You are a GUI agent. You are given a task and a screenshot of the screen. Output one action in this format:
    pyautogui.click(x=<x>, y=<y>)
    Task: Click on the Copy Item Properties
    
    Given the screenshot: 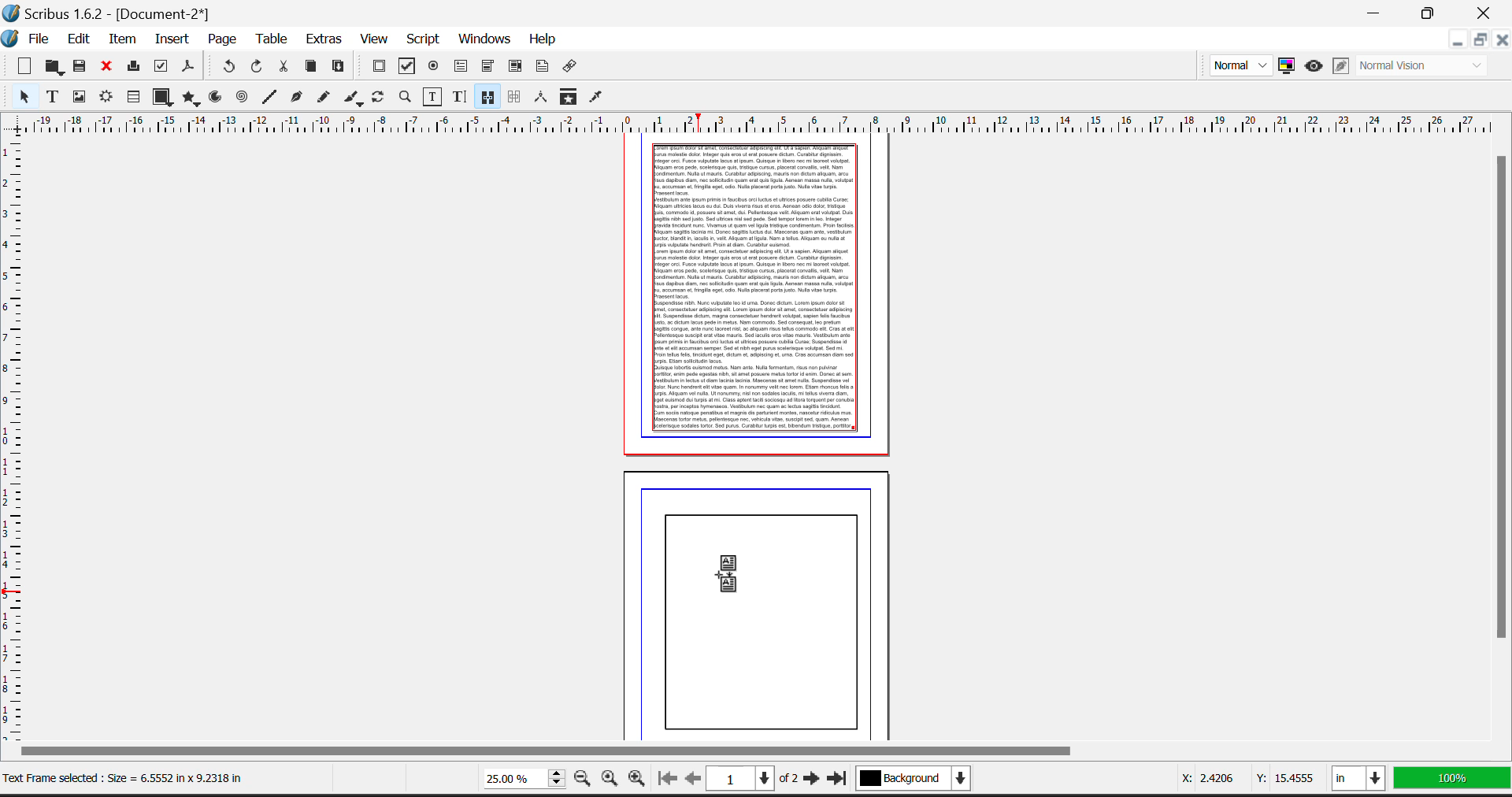 What is the action you would take?
    pyautogui.click(x=568, y=98)
    